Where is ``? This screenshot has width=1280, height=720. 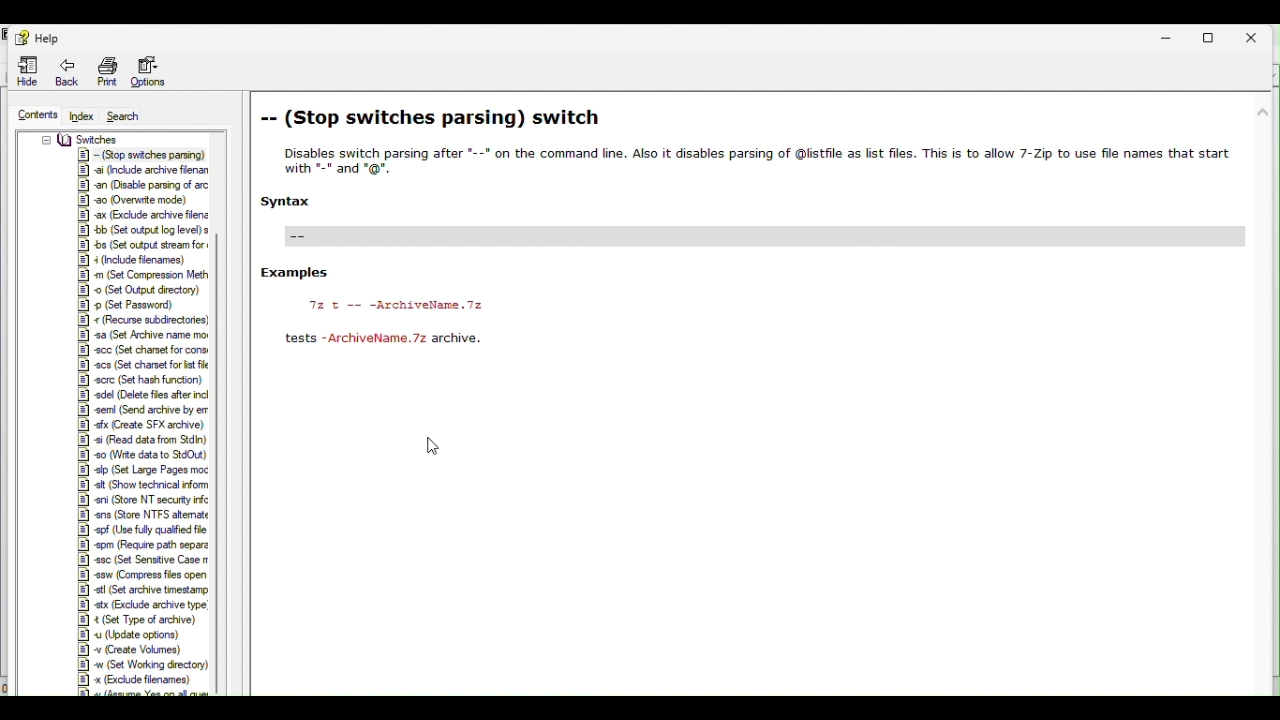  is located at coordinates (136, 259).